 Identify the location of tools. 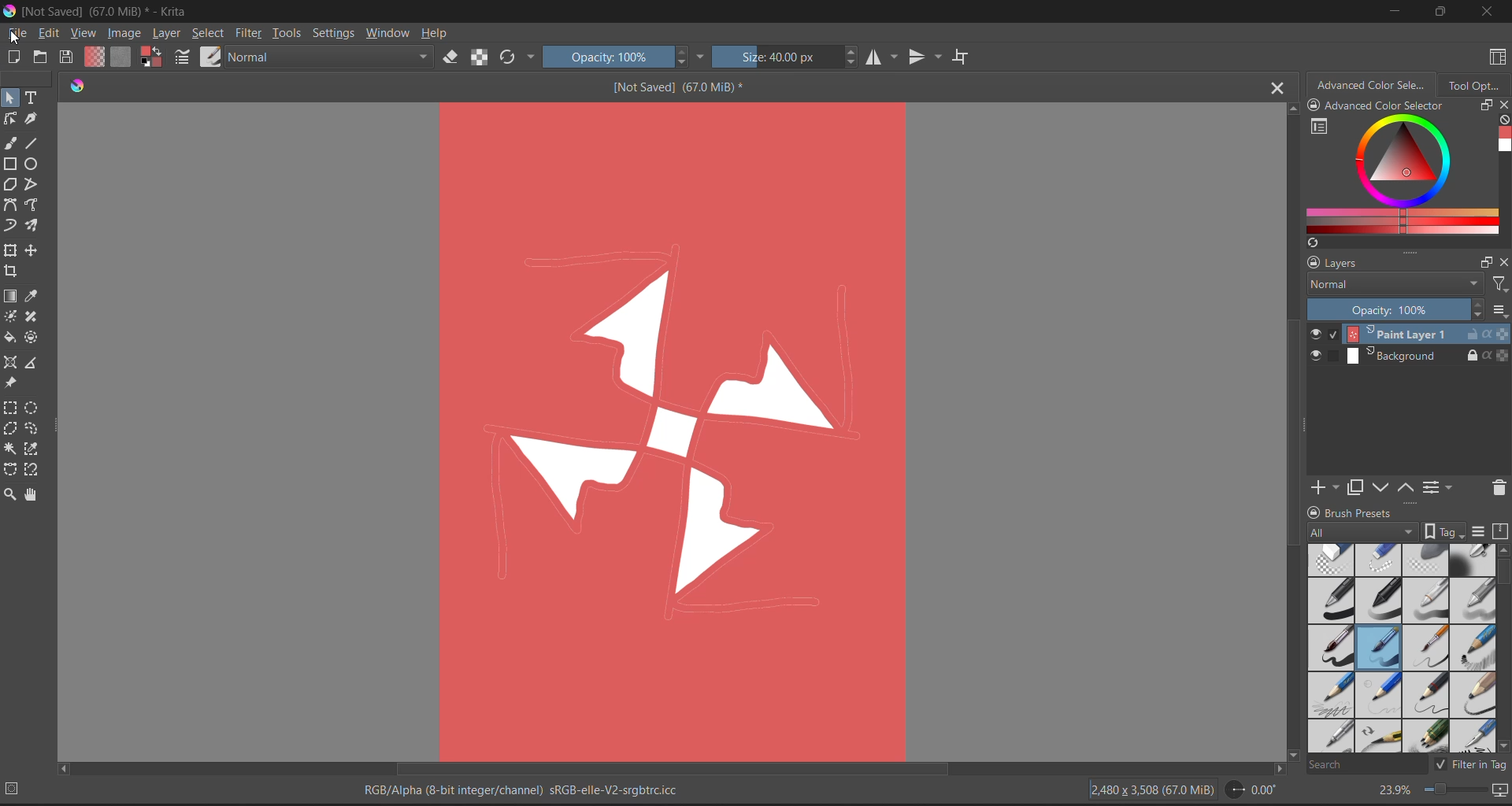
(33, 471).